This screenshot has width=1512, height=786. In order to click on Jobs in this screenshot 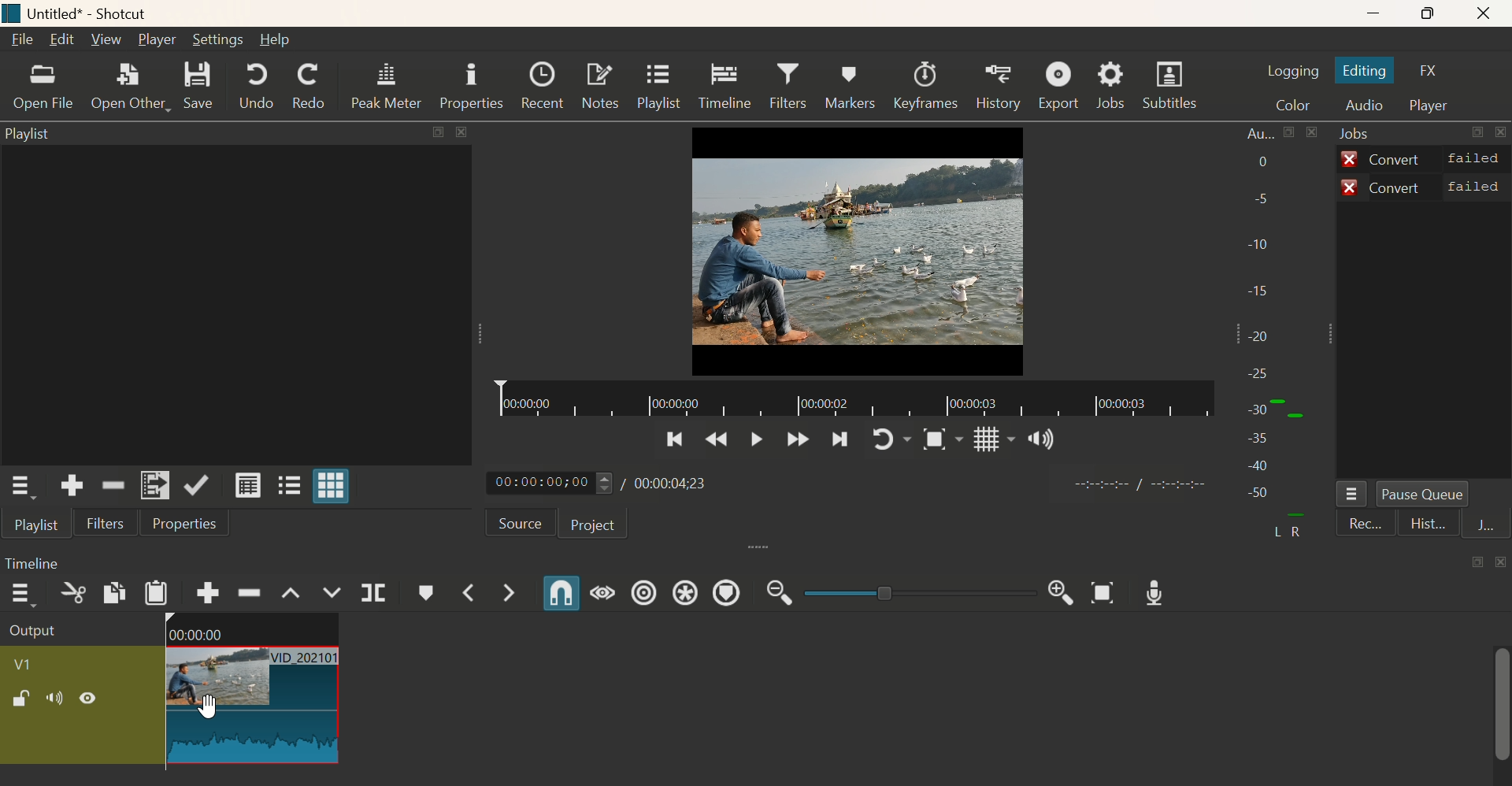, I will do `click(1361, 134)`.